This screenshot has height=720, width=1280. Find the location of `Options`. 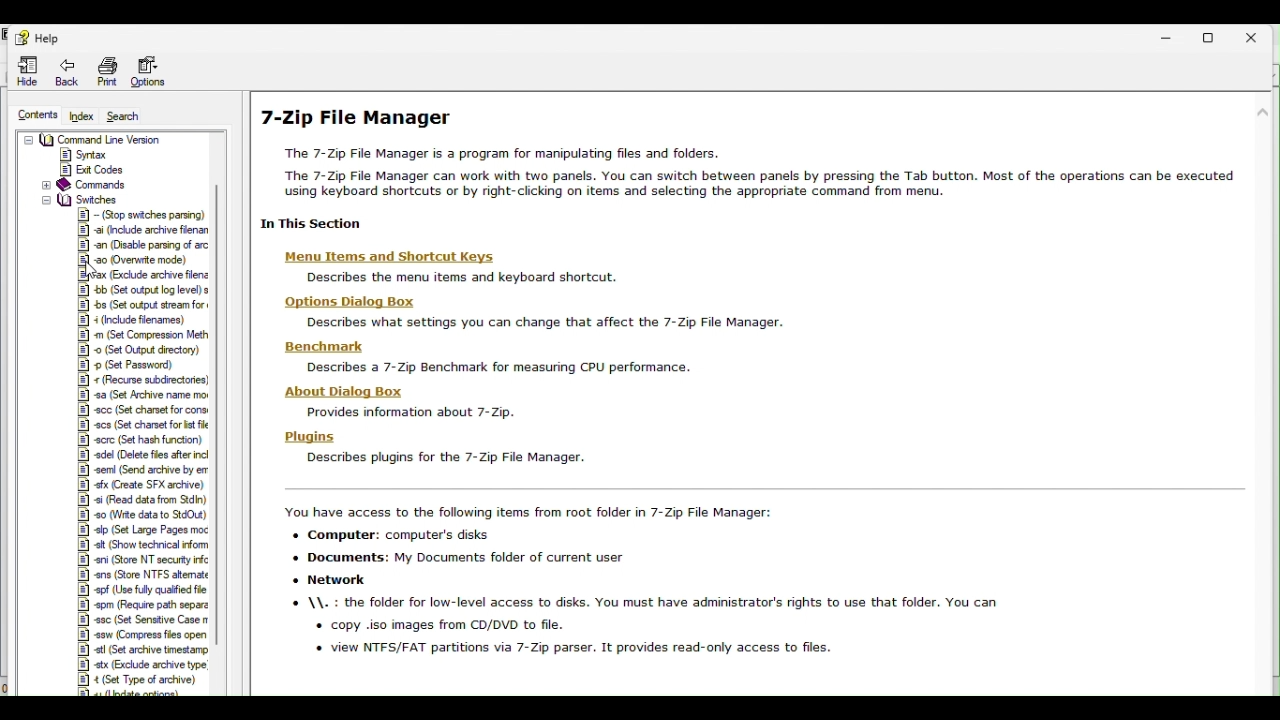

Options is located at coordinates (156, 74).